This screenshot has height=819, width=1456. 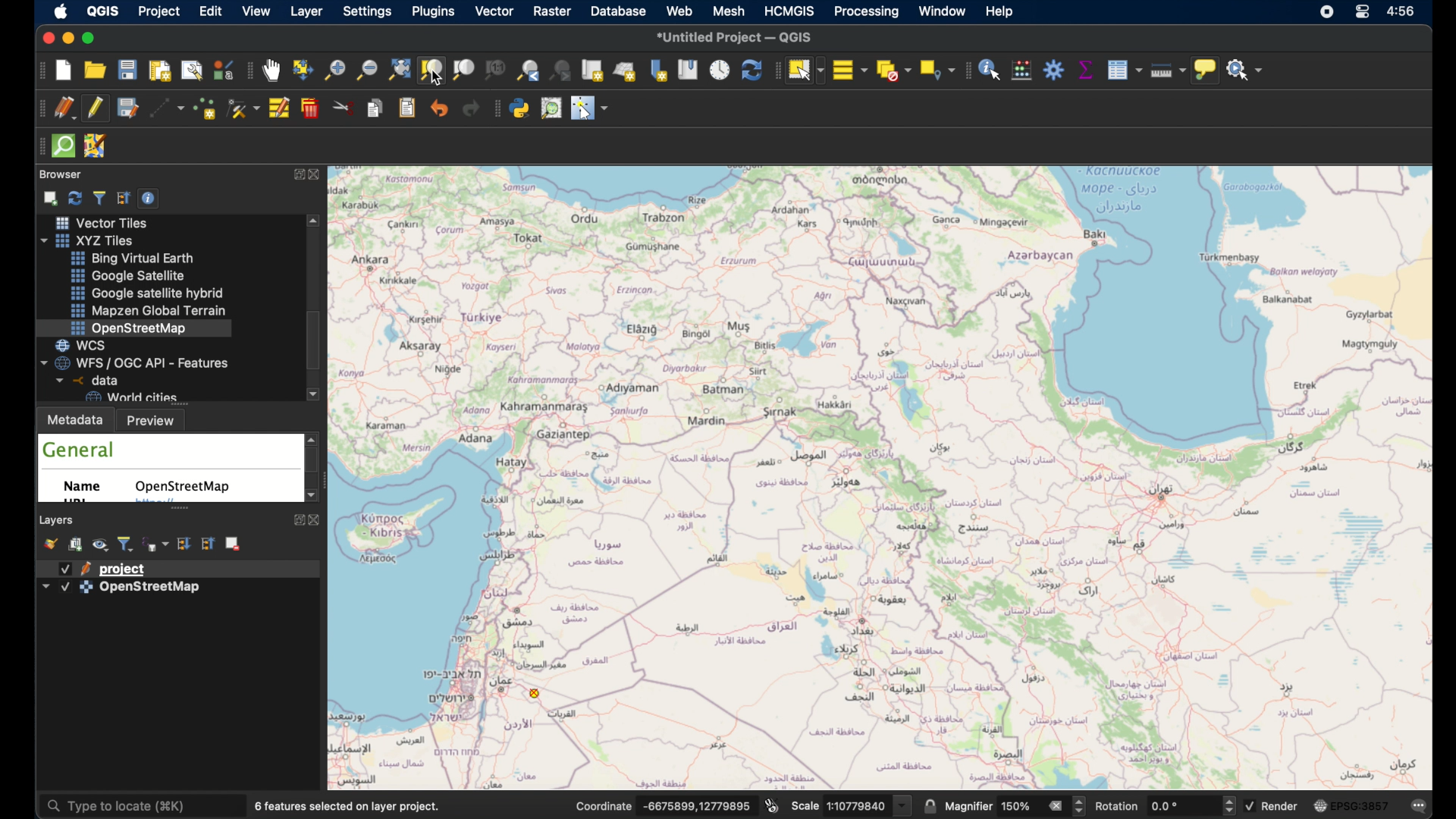 I want to click on copy features, so click(x=377, y=110).